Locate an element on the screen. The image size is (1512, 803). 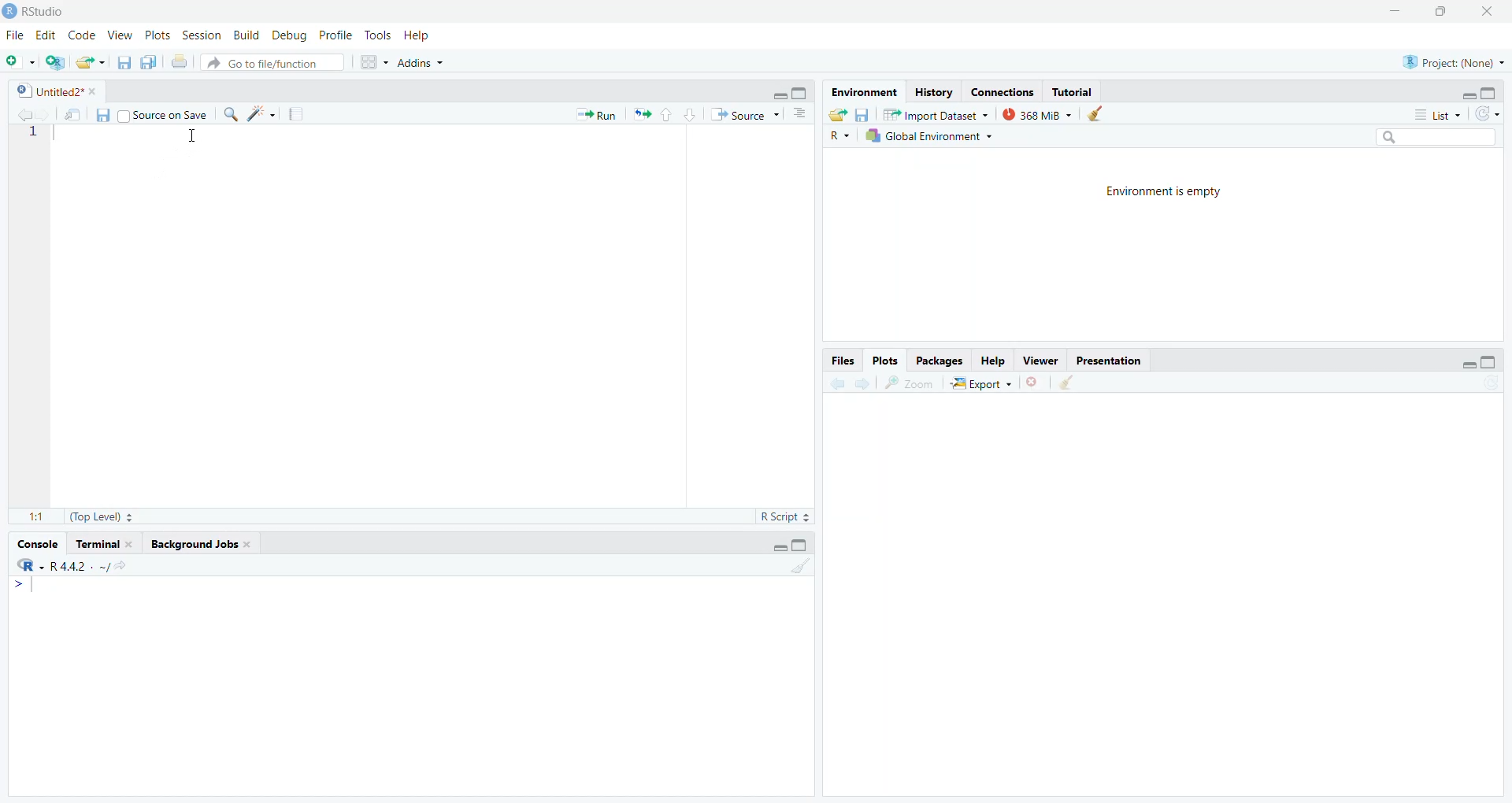
R Script = is located at coordinates (787, 515).